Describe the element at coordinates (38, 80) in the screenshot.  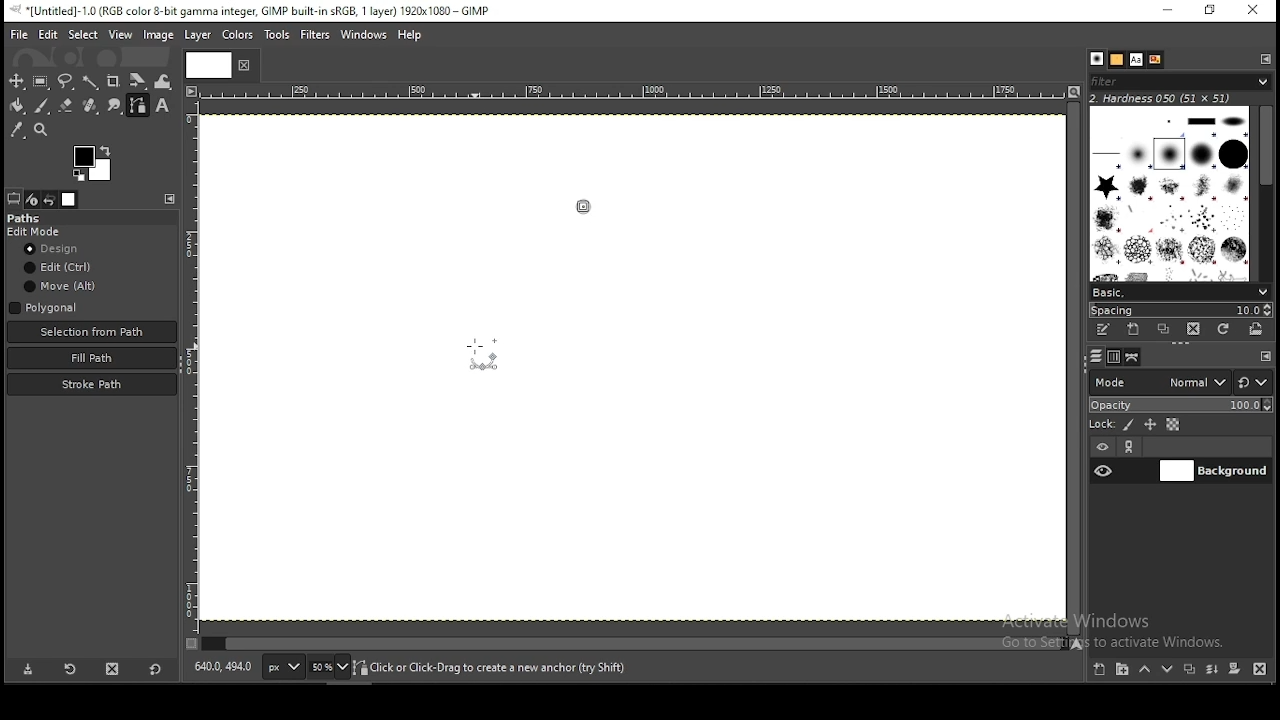
I see `rectangle selection tool` at that location.